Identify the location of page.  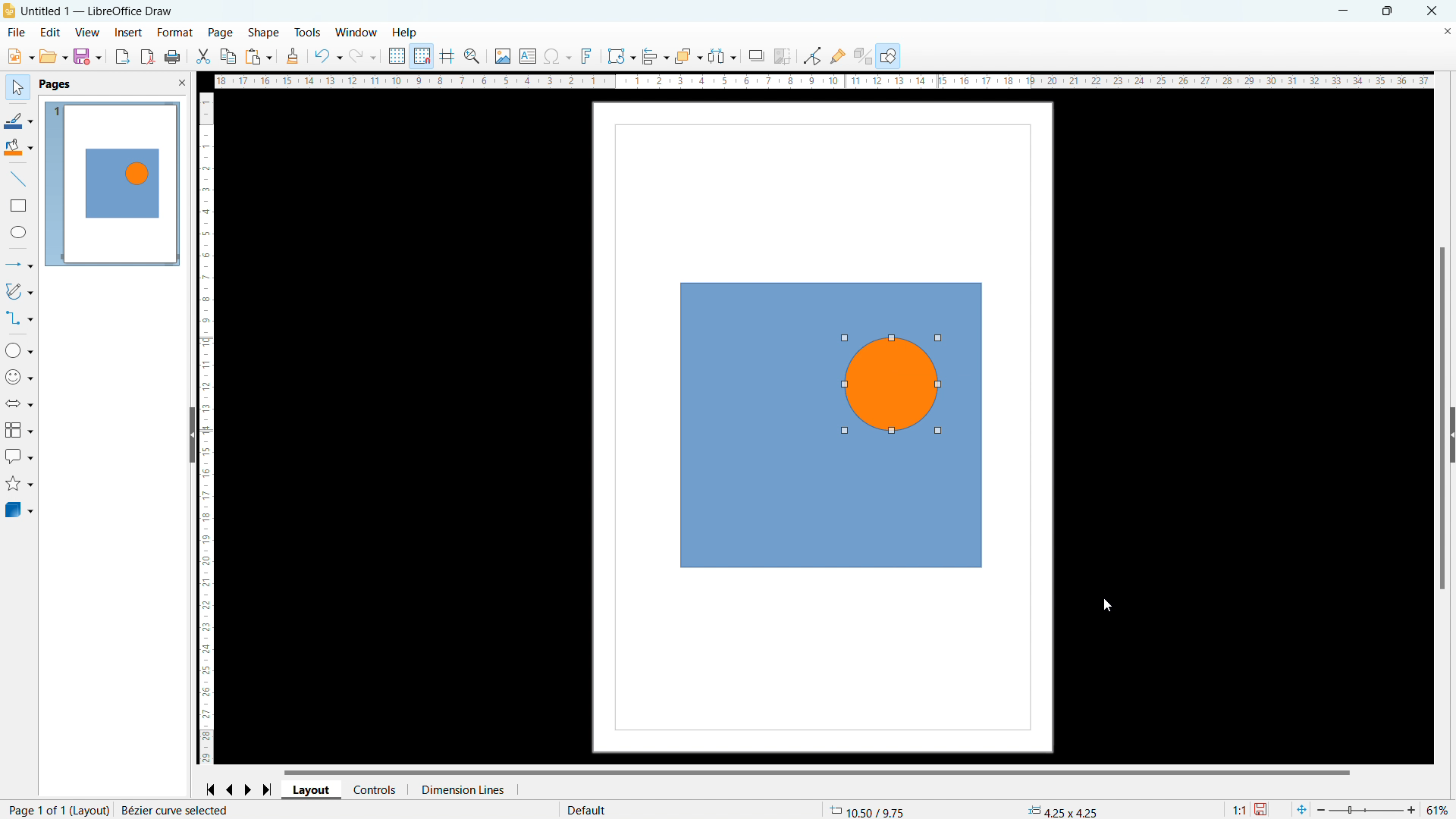
(221, 33).